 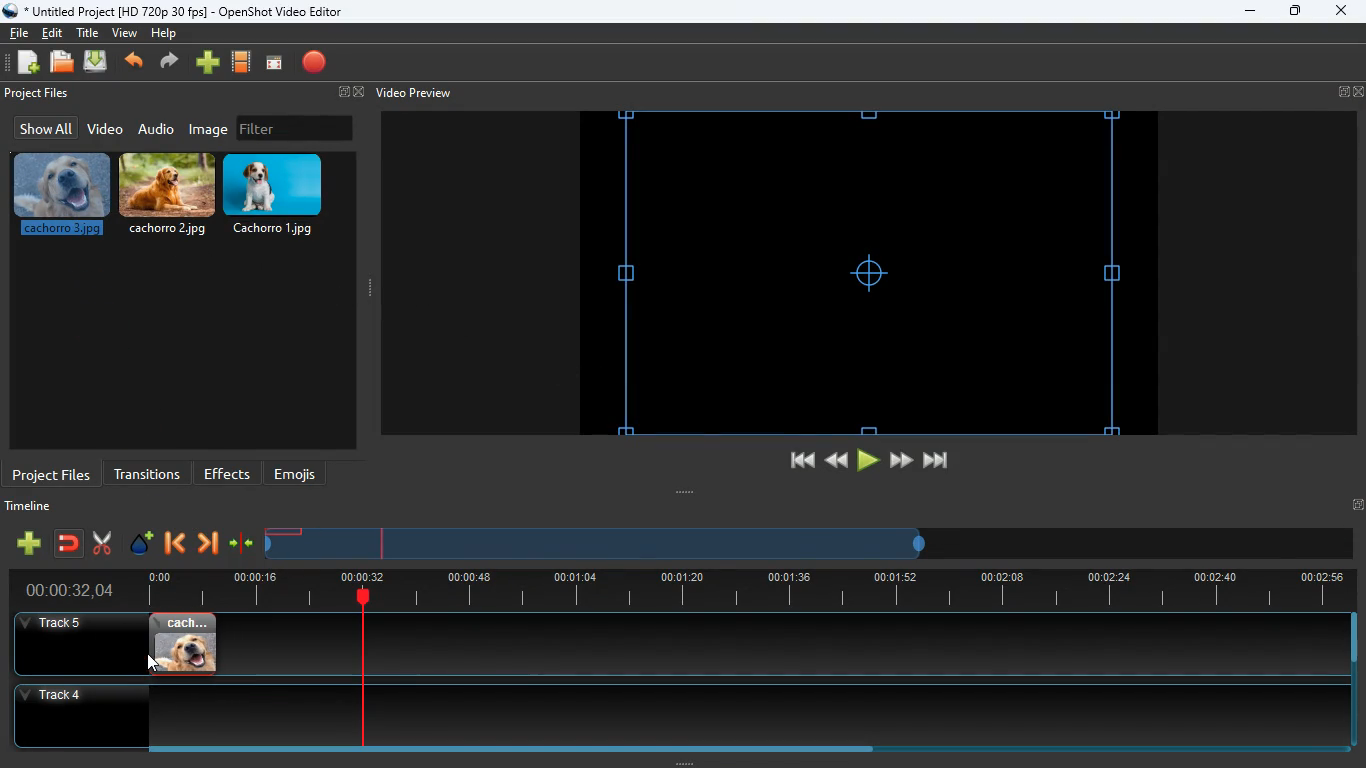 I want to click on cut, so click(x=102, y=543).